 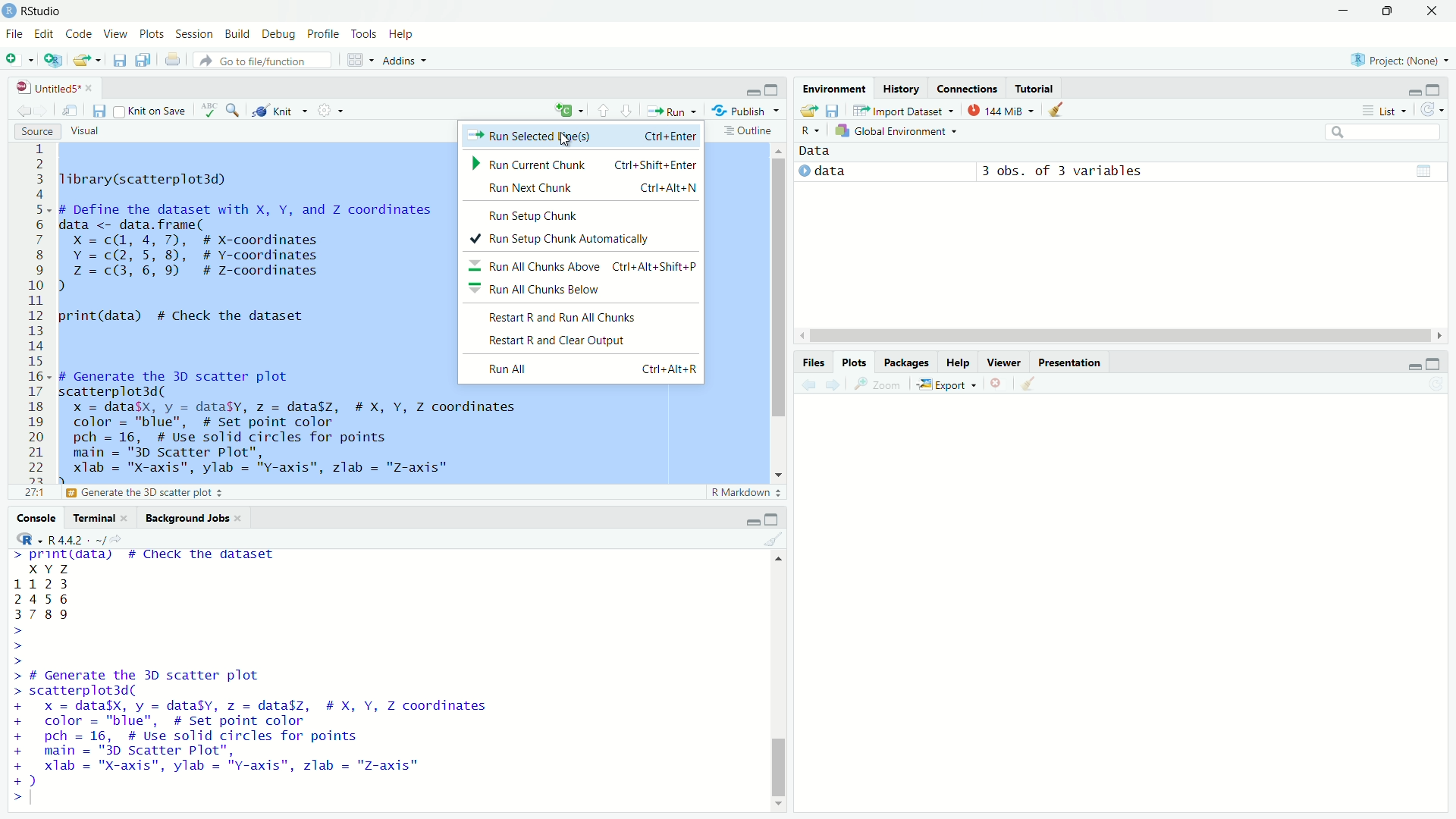 I want to click on move left, so click(x=803, y=334).